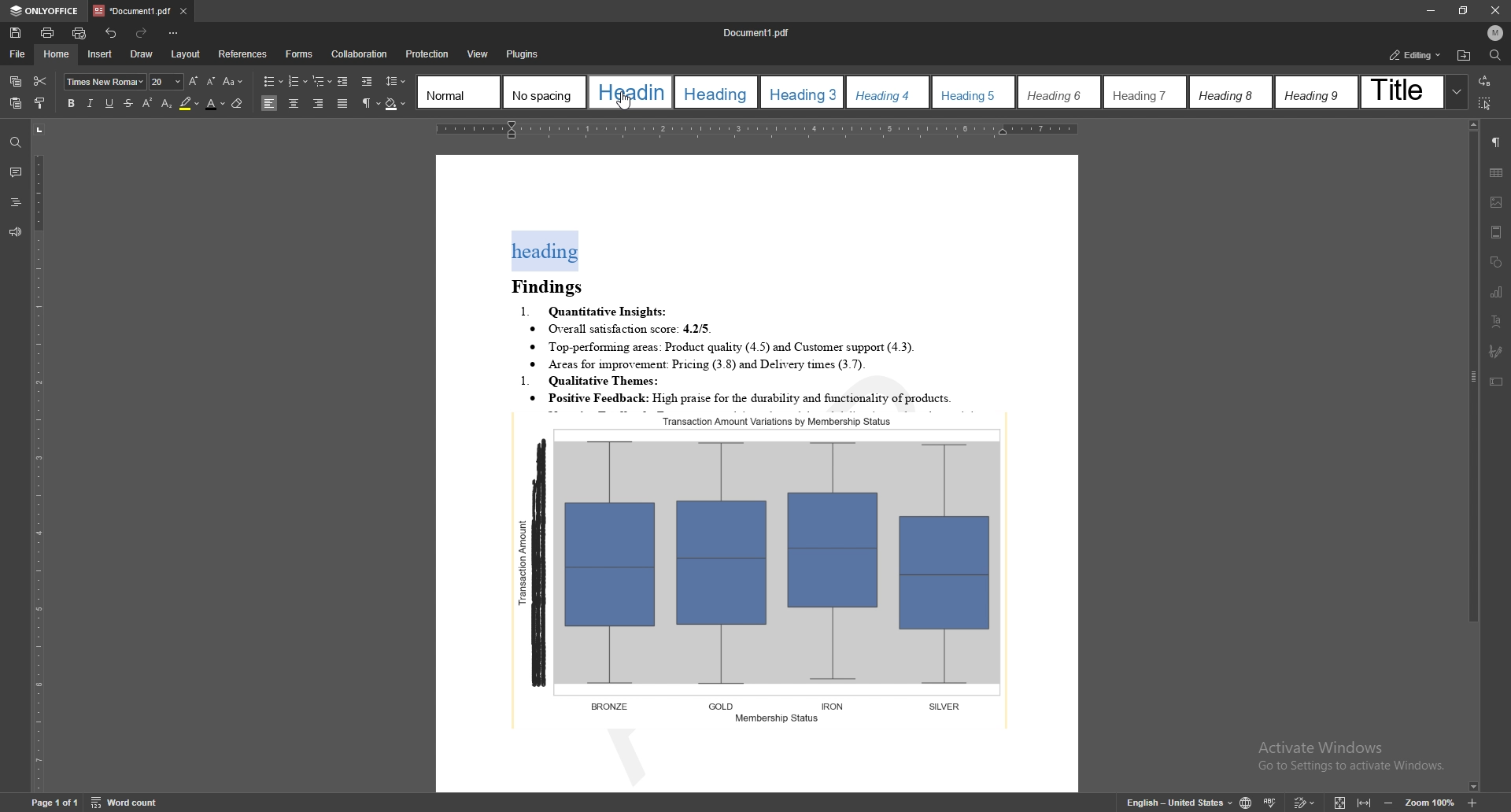 This screenshot has height=812, width=1511. I want to click on eraser, so click(238, 103).